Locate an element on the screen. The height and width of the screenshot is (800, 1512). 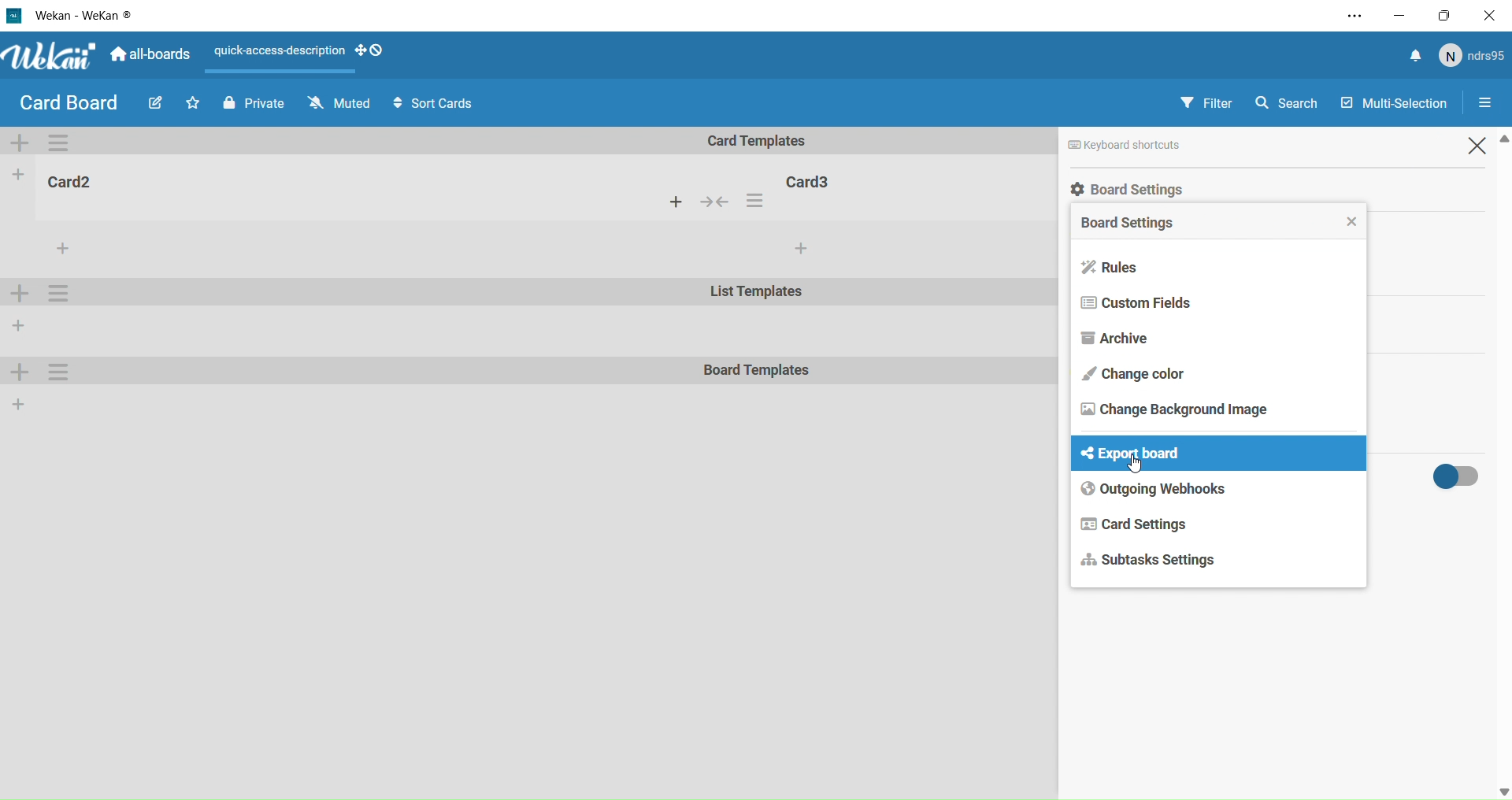
Settings is located at coordinates (61, 372).